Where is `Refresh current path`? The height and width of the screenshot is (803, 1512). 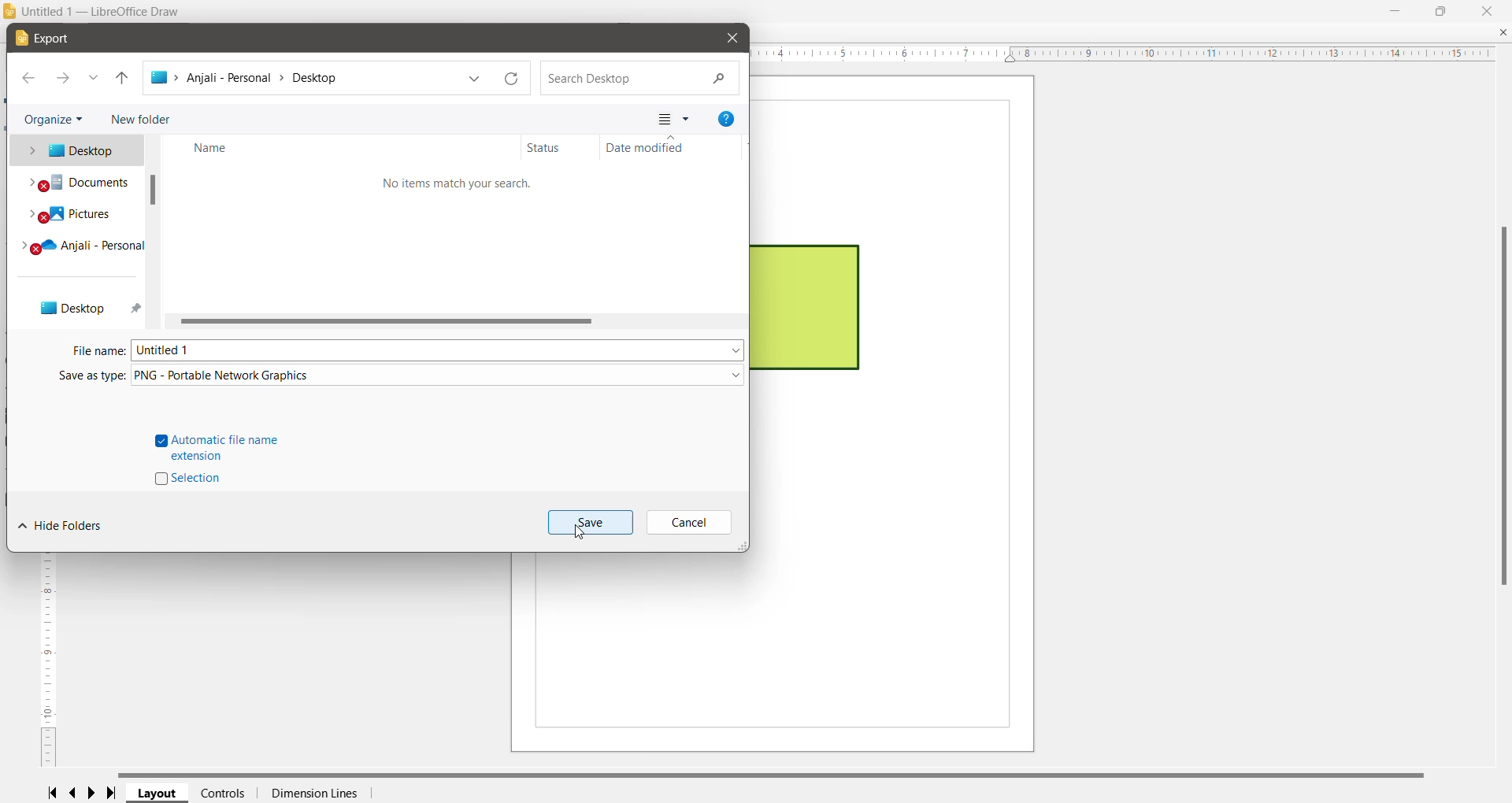
Refresh current path is located at coordinates (513, 79).